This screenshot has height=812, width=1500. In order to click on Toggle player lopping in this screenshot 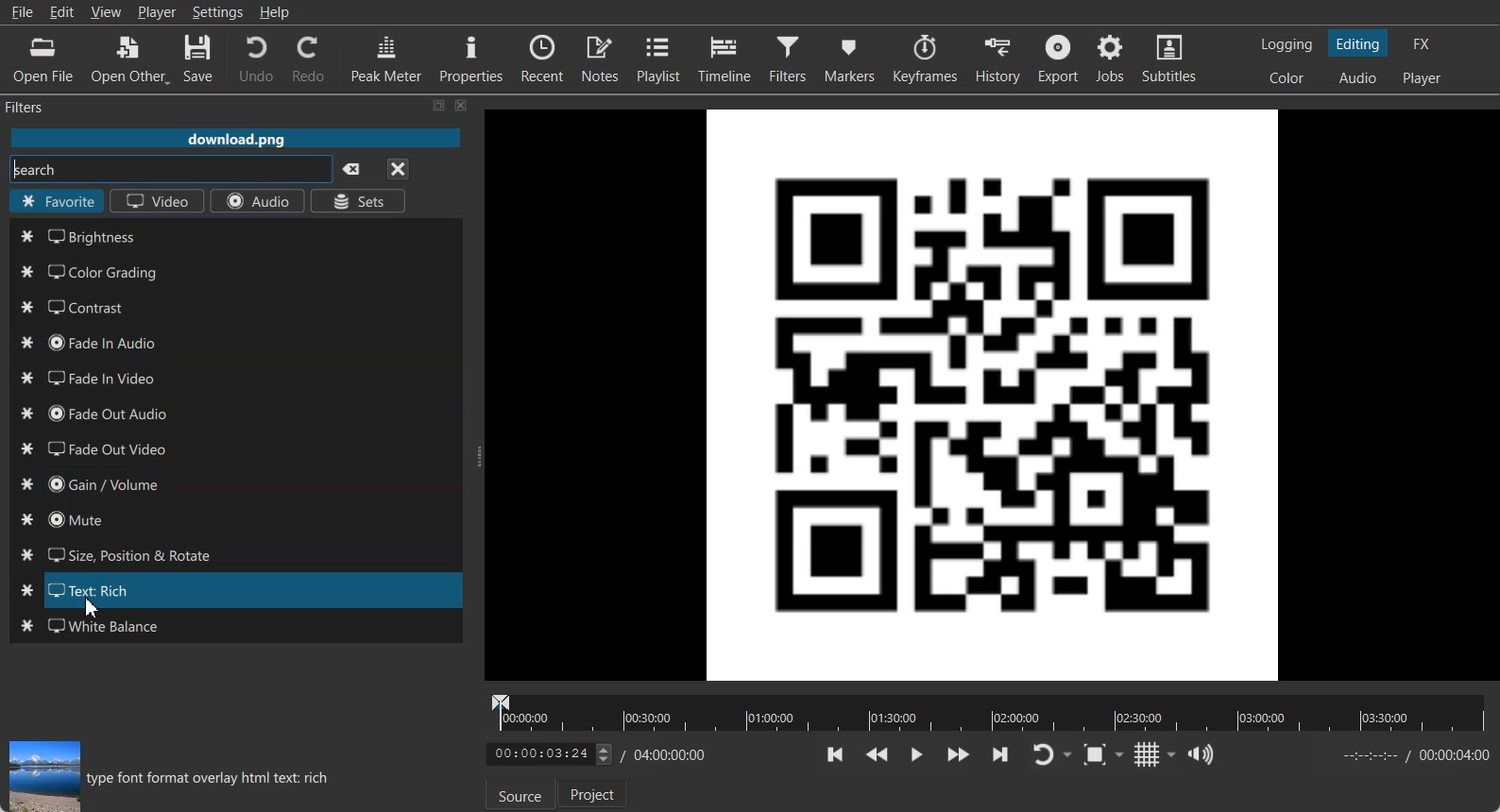, I will do `click(1040, 755)`.